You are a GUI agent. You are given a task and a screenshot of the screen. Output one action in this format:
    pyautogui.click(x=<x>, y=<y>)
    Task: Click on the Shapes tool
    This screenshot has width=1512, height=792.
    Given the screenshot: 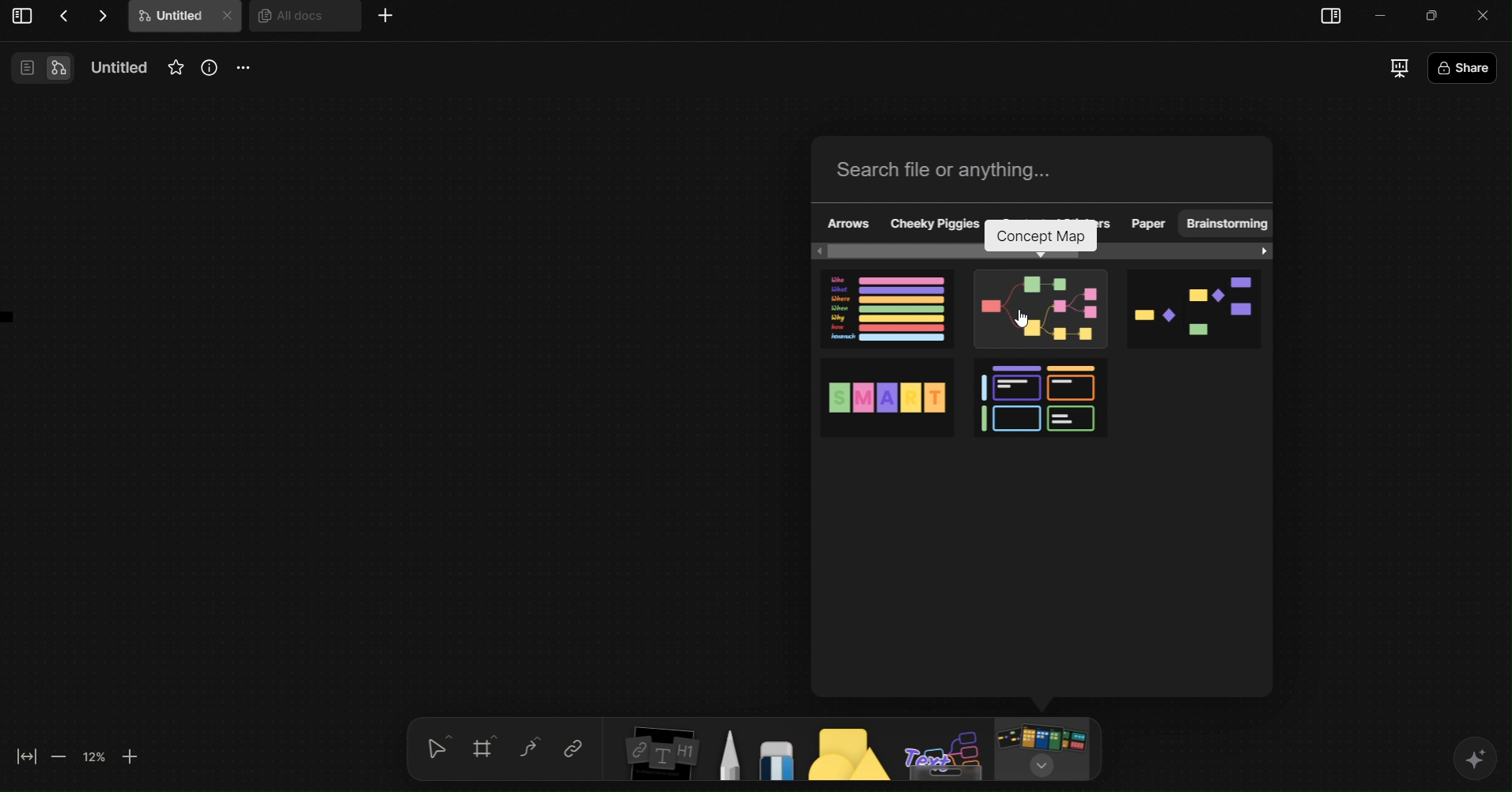 What is the action you would take?
    pyautogui.click(x=846, y=753)
    